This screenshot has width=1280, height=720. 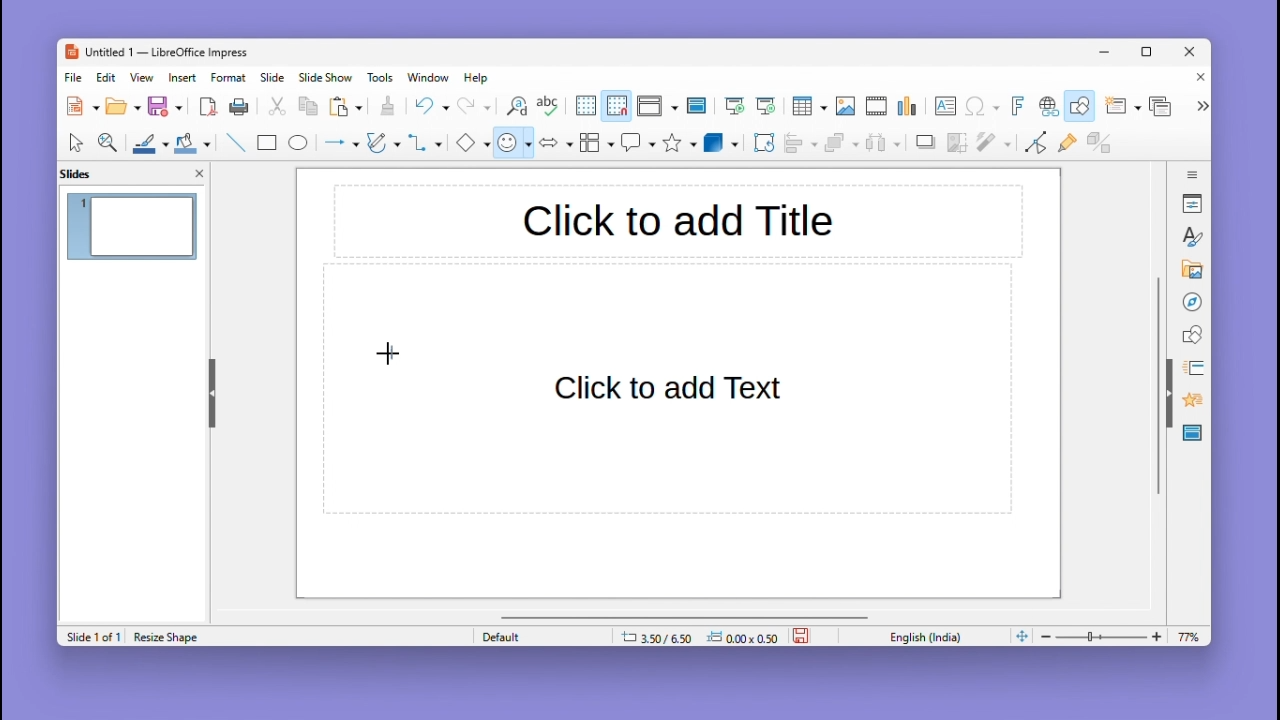 What do you see at coordinates (958, 147) in the screenshot?
I see `Crop image` at bounding box center [958, 147].